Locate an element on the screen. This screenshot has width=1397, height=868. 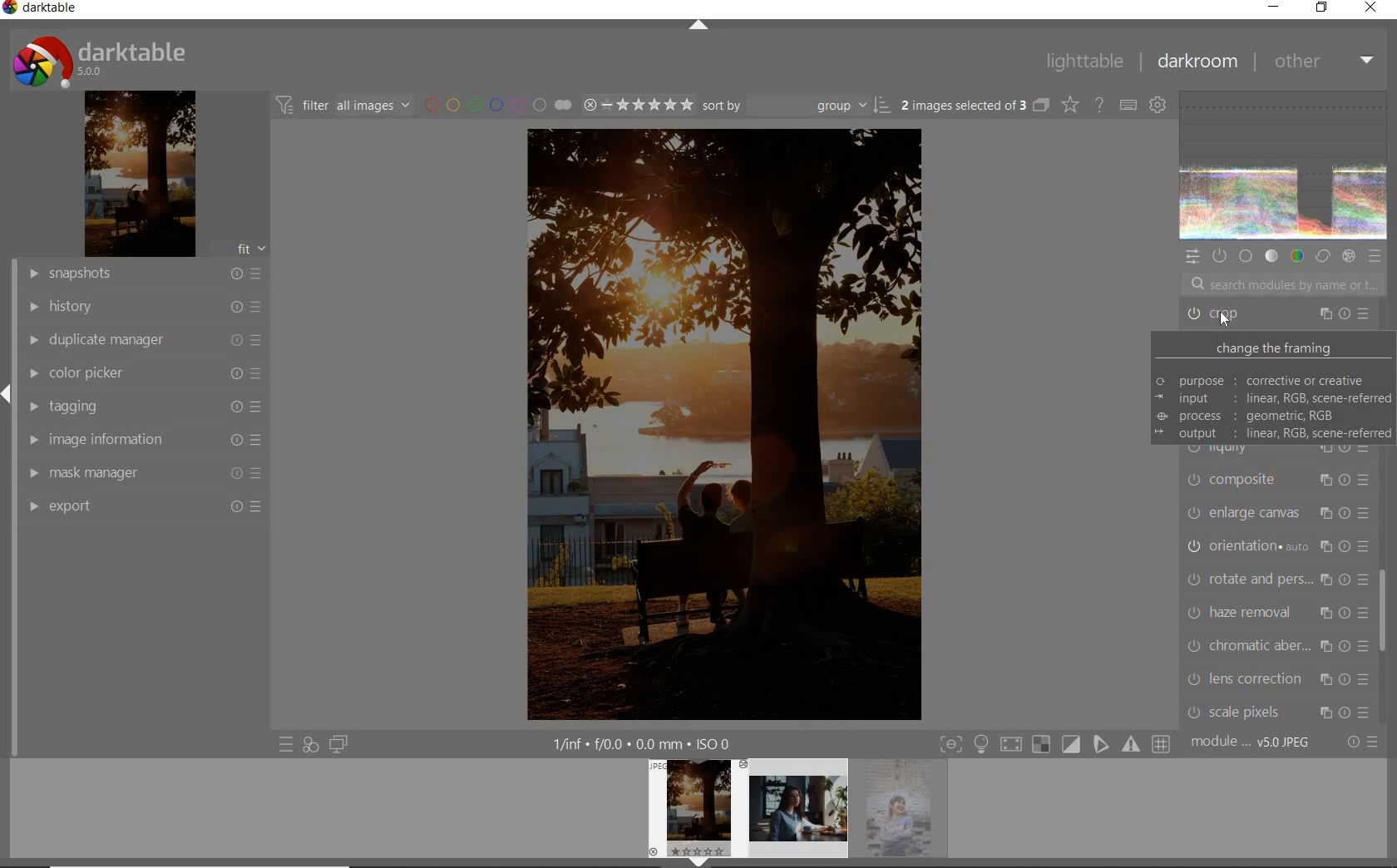
waveform is located at coordinates (1283, 167).